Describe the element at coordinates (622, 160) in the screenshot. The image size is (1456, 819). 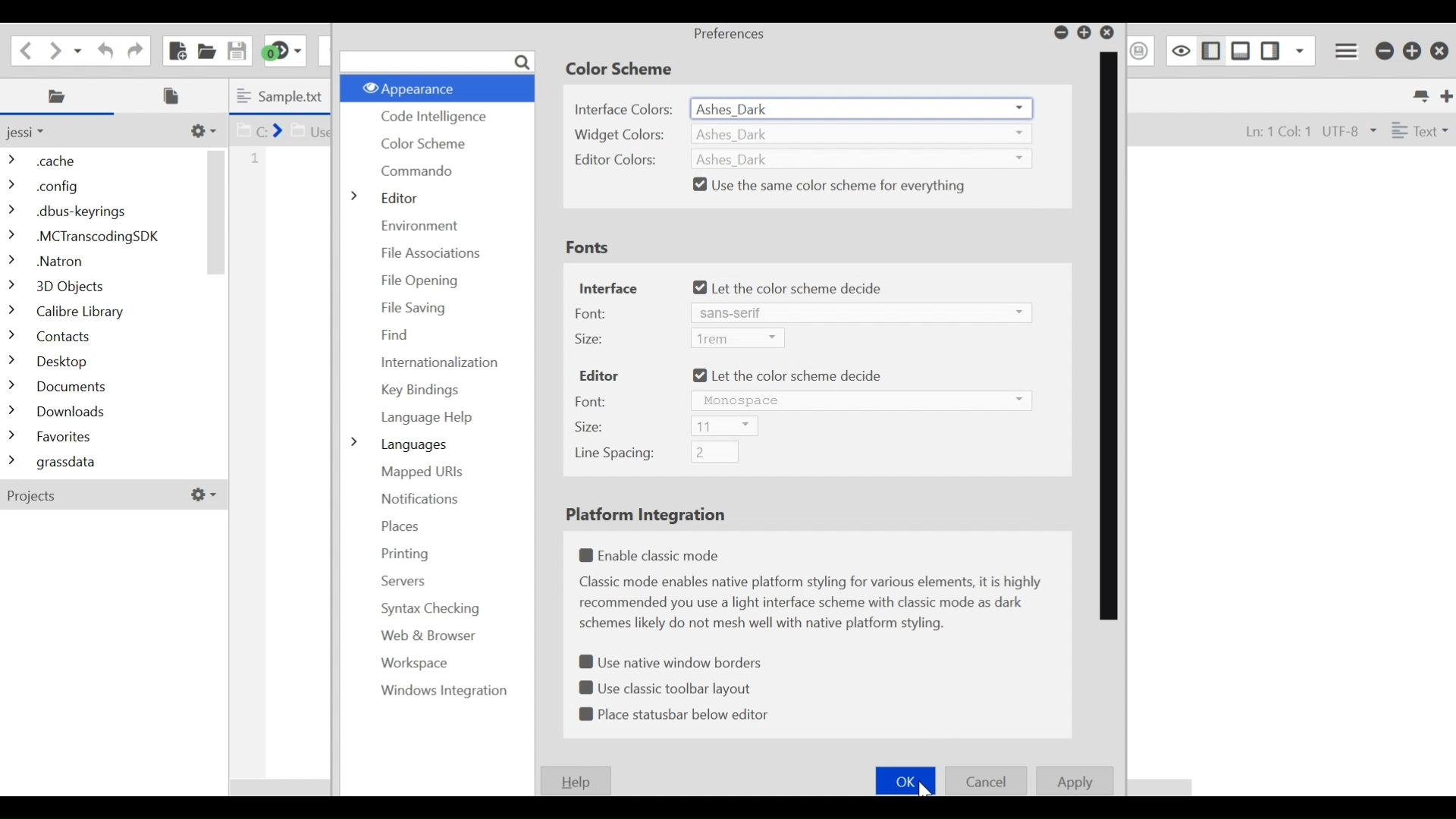
I see `Editor Colors` at that location.